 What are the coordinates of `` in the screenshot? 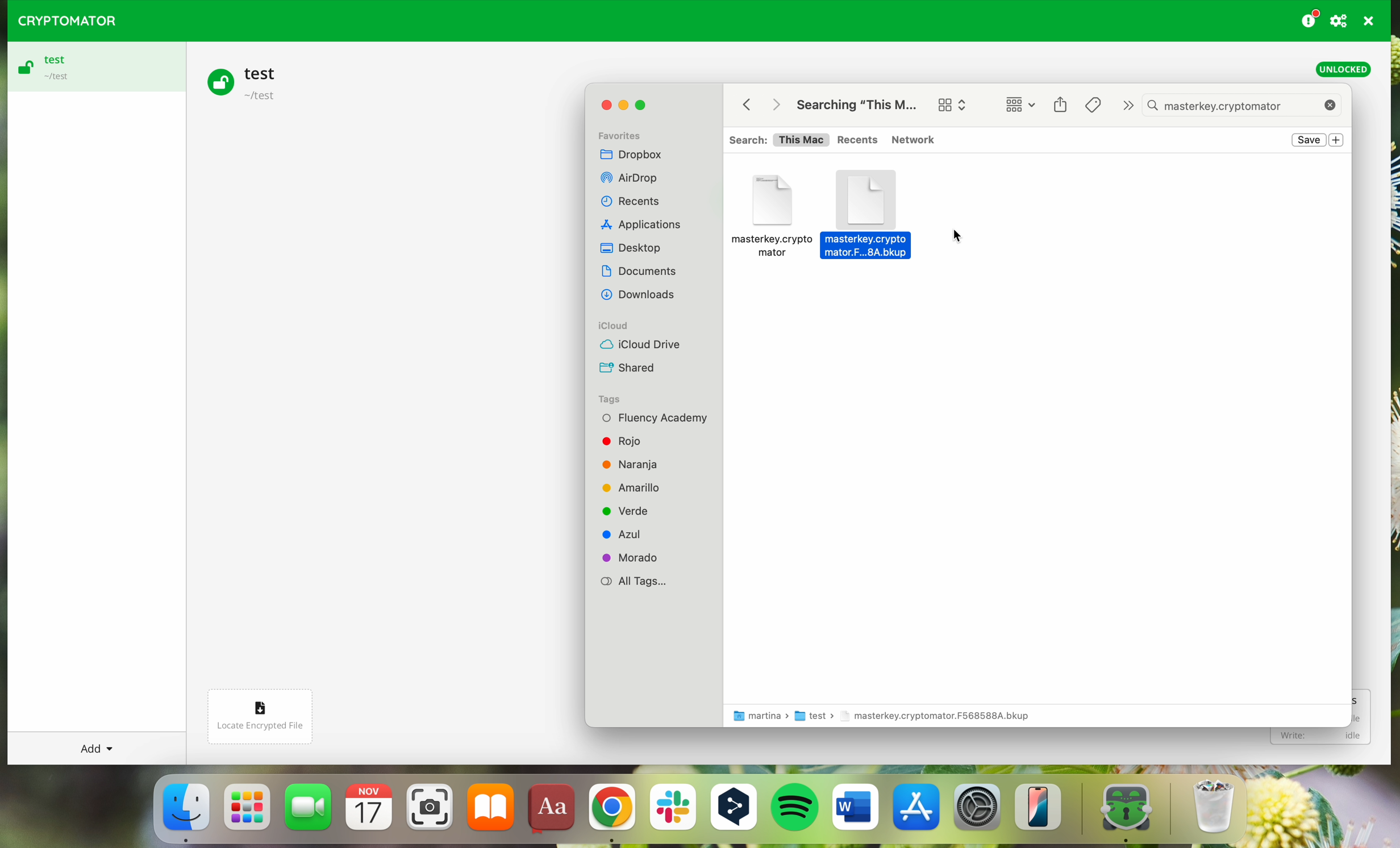 It's located at (643, 271).